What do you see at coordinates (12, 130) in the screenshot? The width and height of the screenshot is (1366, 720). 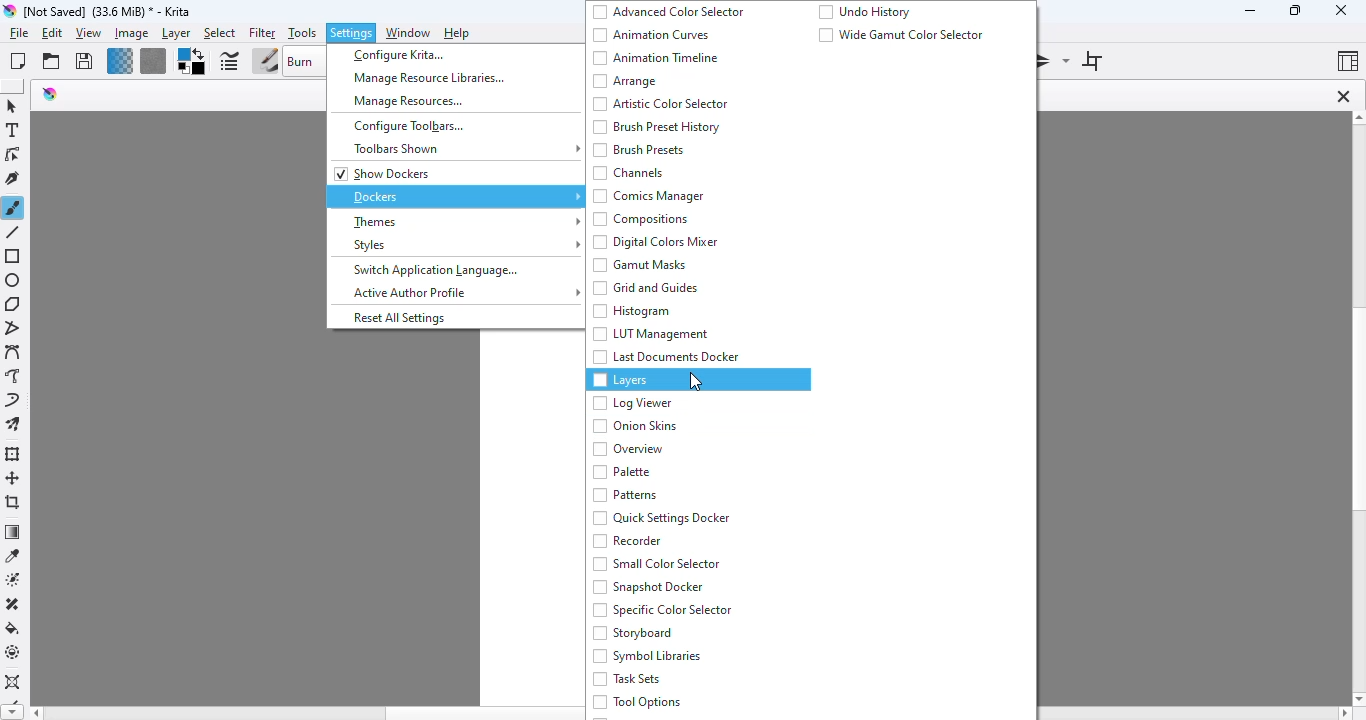 I see `text tool` at bounding box center [12, 130].